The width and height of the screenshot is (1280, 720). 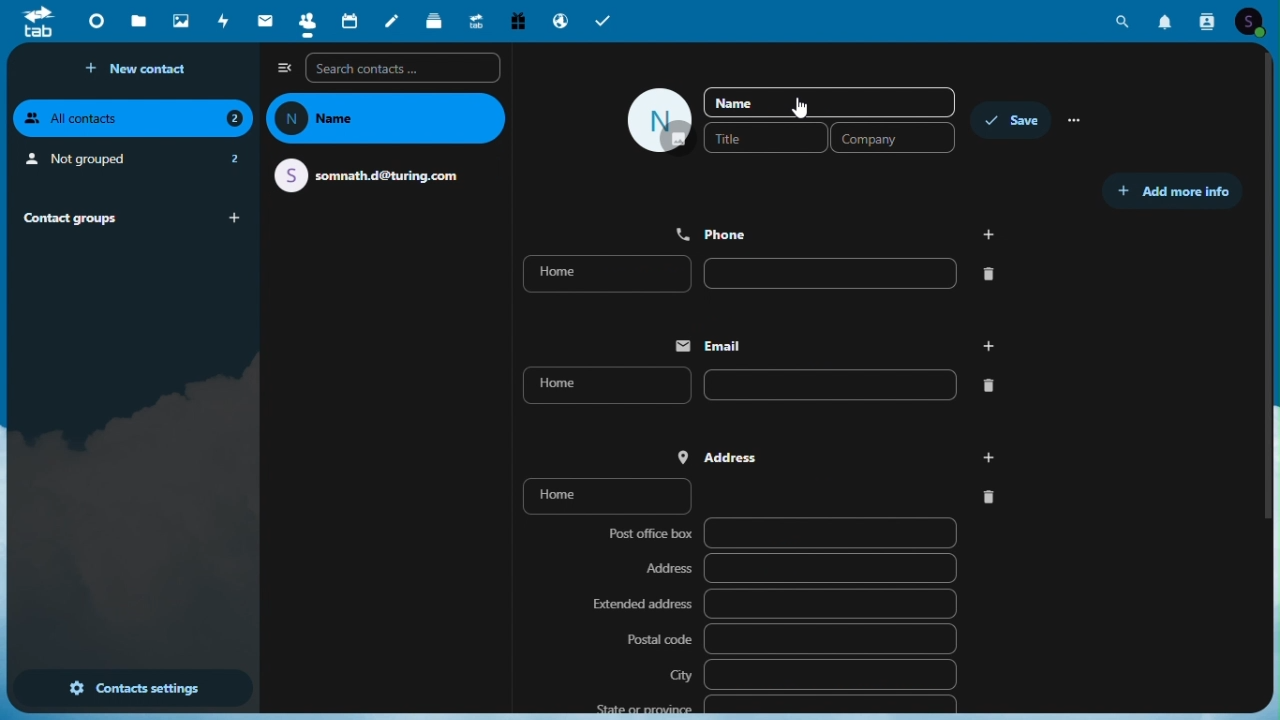 I want to click on Extended address, so click(x=773, y=605).